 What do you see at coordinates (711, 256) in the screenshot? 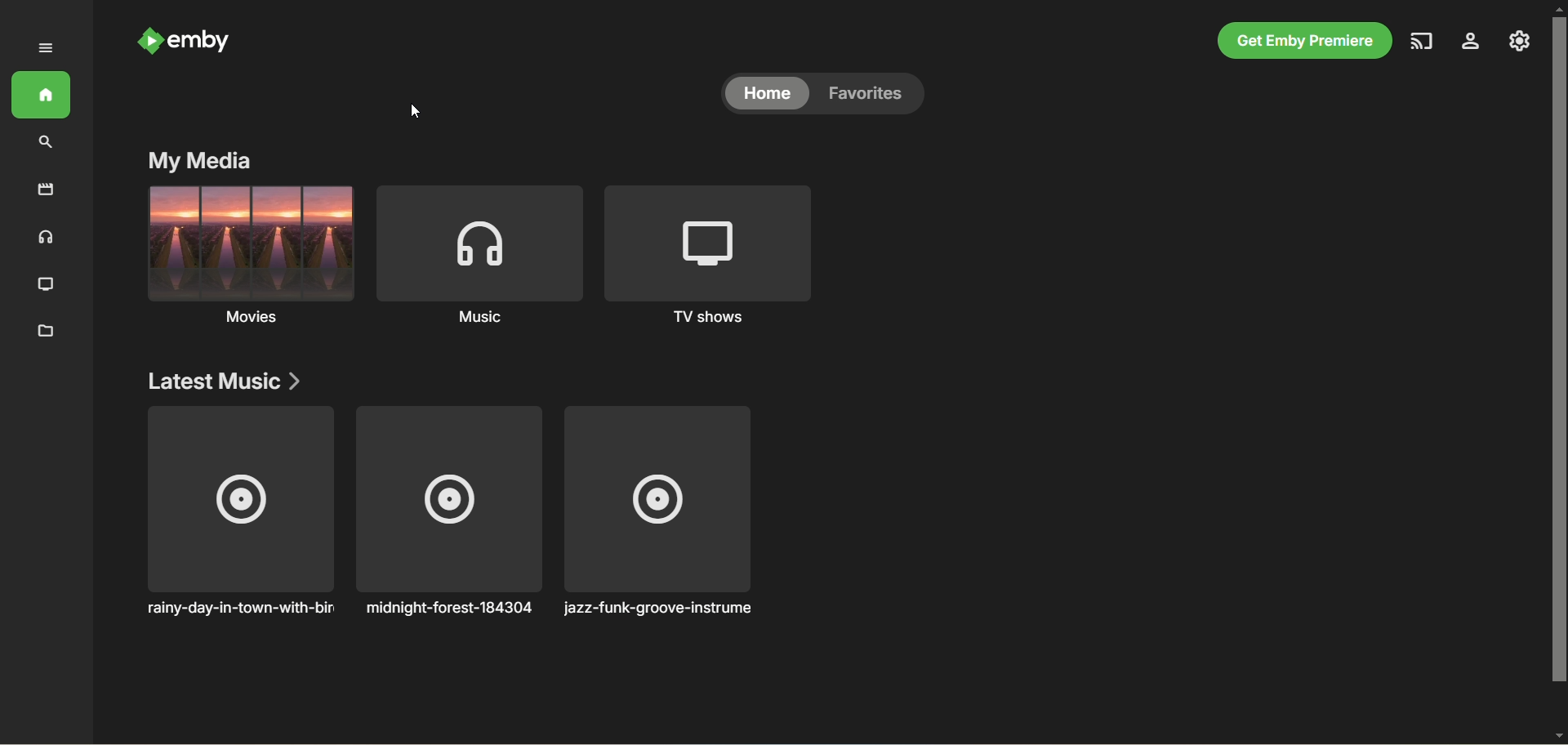
I see `TV shows` at bounding box center [711, 256].